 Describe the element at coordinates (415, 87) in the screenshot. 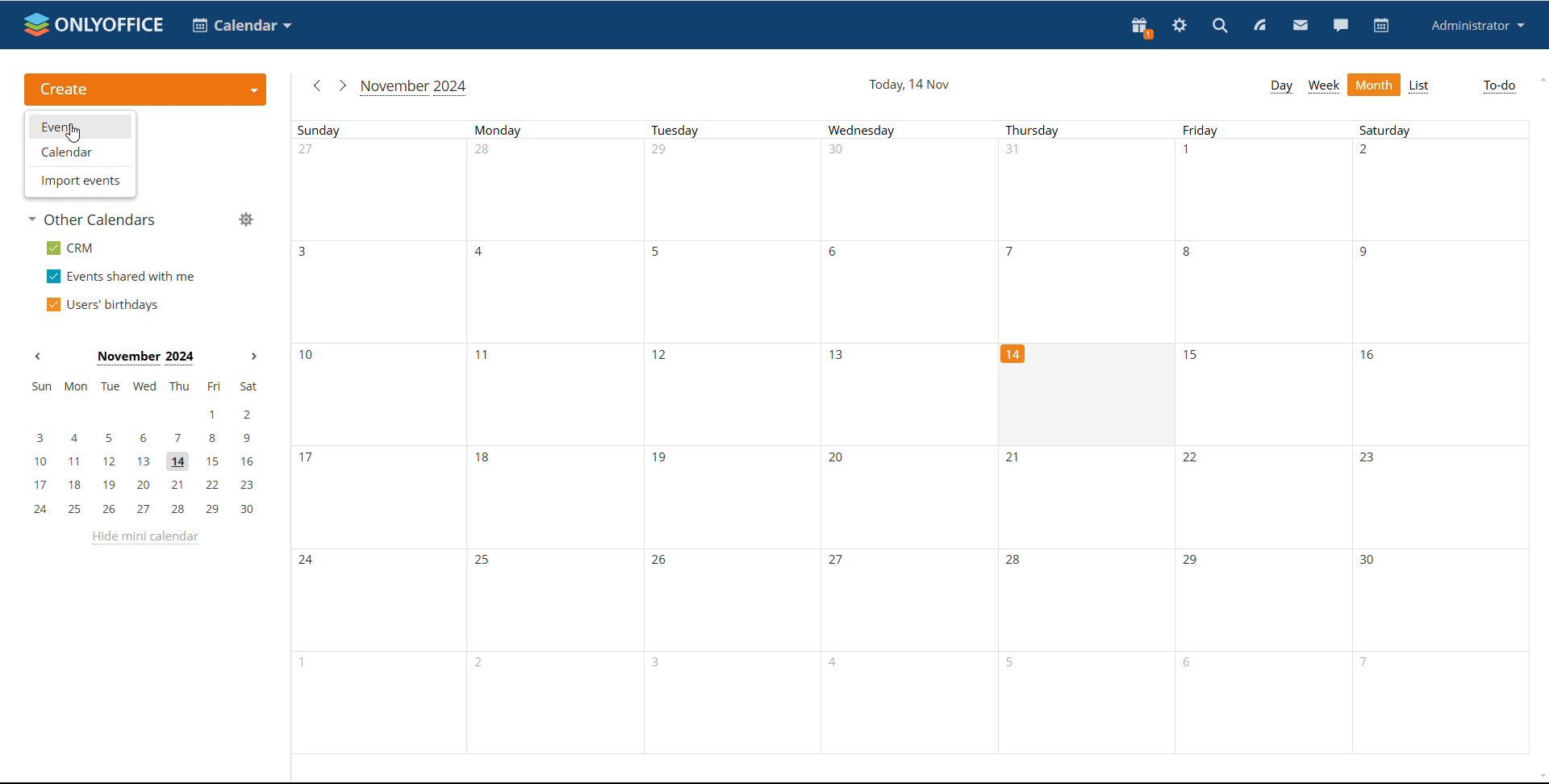

I see `current month` at that location.